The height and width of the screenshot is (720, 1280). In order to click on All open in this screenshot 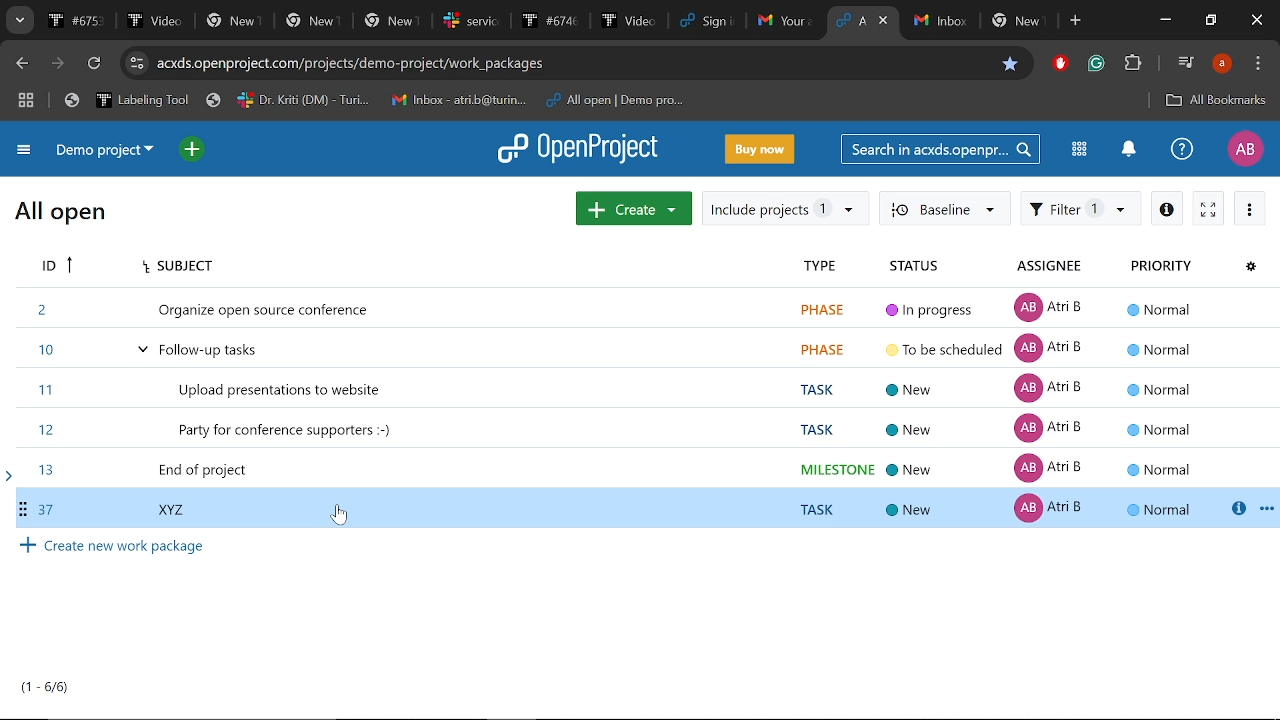, I will do `click(61, 215)`.